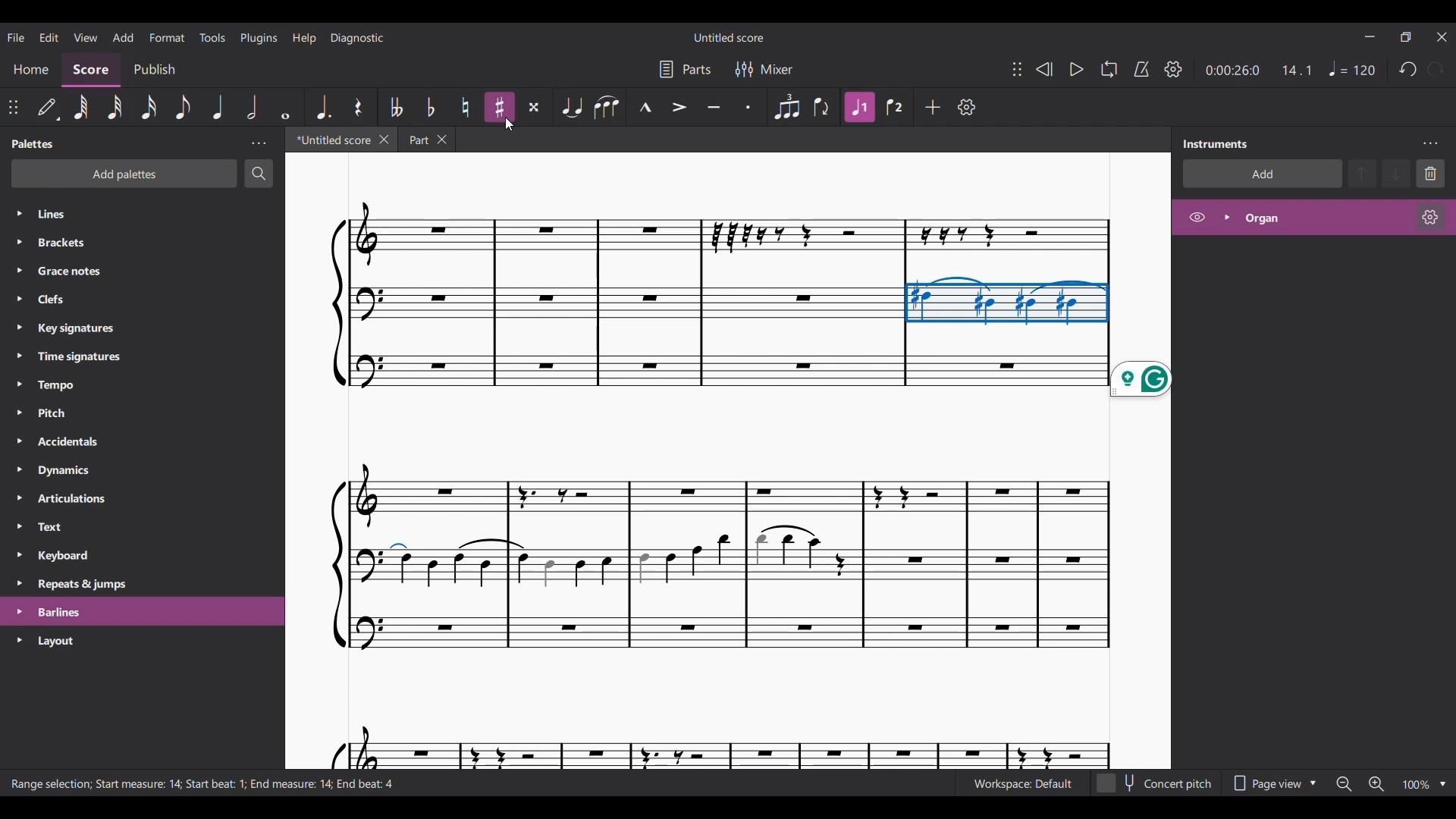  Describe the element at coordinates (572, 108) in the screenshot. I see `Tie` at that location.